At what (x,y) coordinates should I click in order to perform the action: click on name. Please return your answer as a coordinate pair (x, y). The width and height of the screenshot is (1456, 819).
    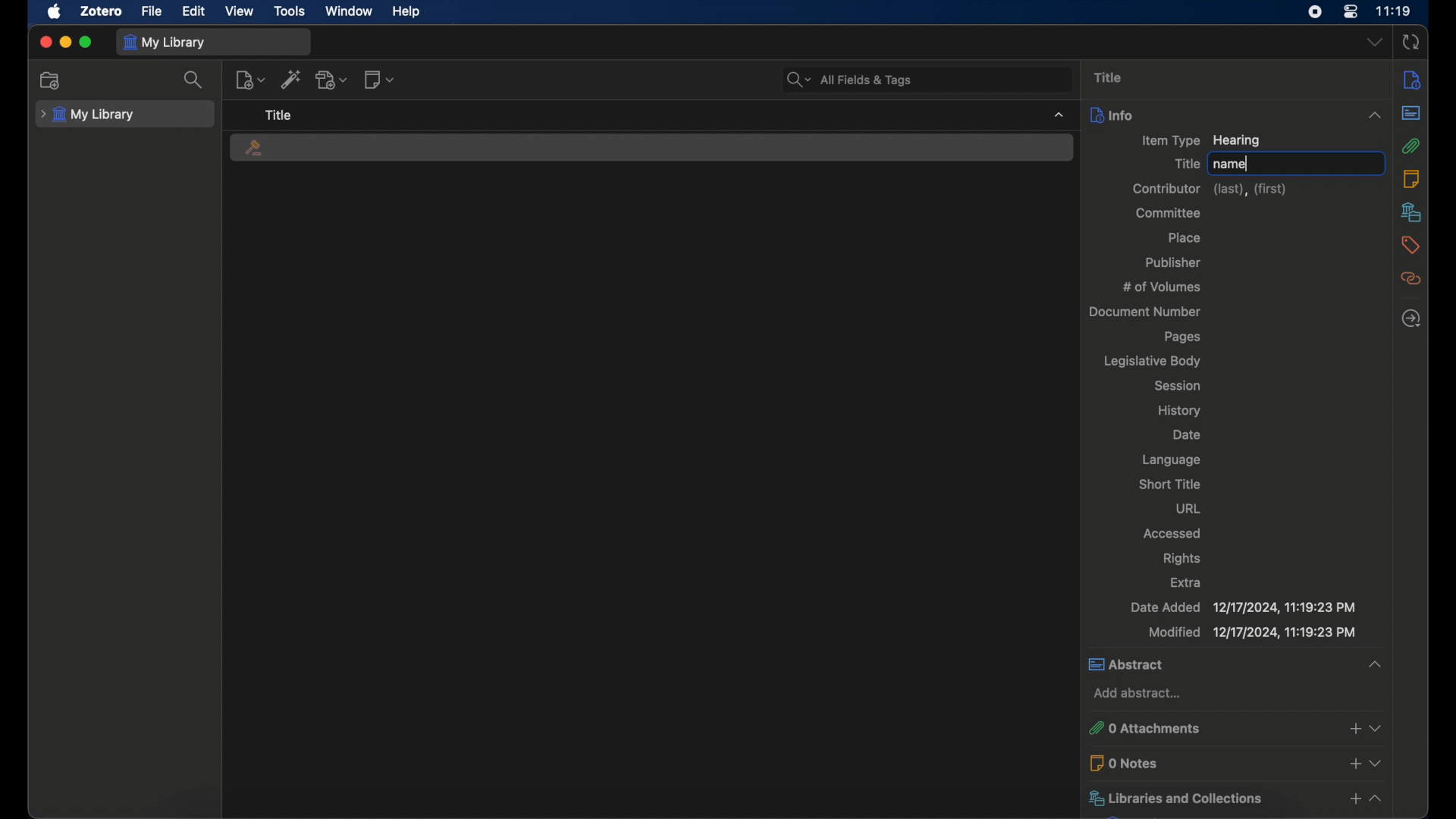
    Looking at the image, I should click on (1229, 165).